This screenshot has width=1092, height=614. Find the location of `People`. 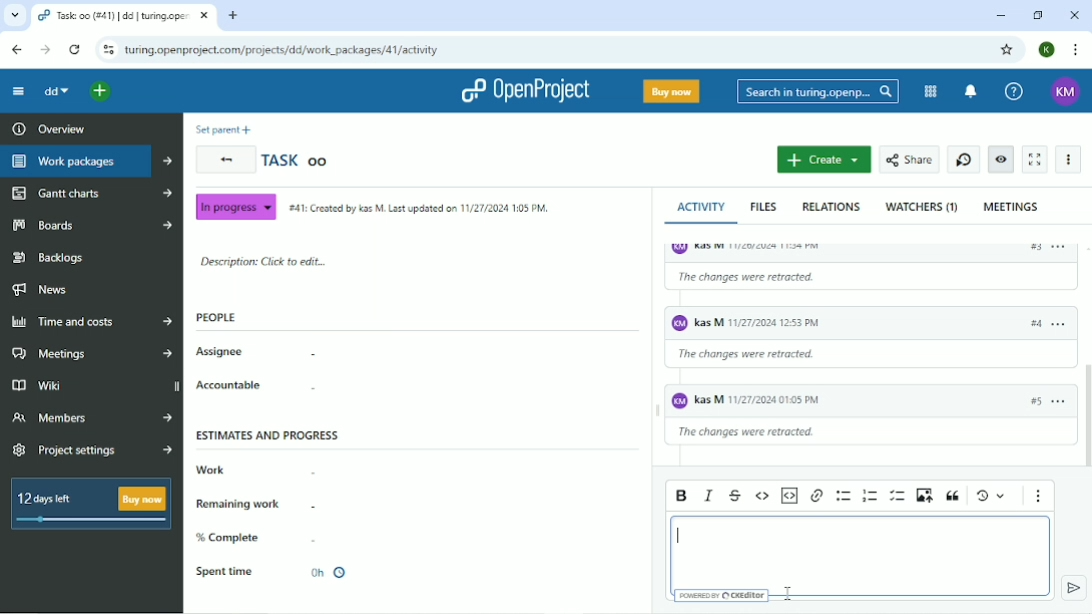

People is located at coordinates (216, 317).